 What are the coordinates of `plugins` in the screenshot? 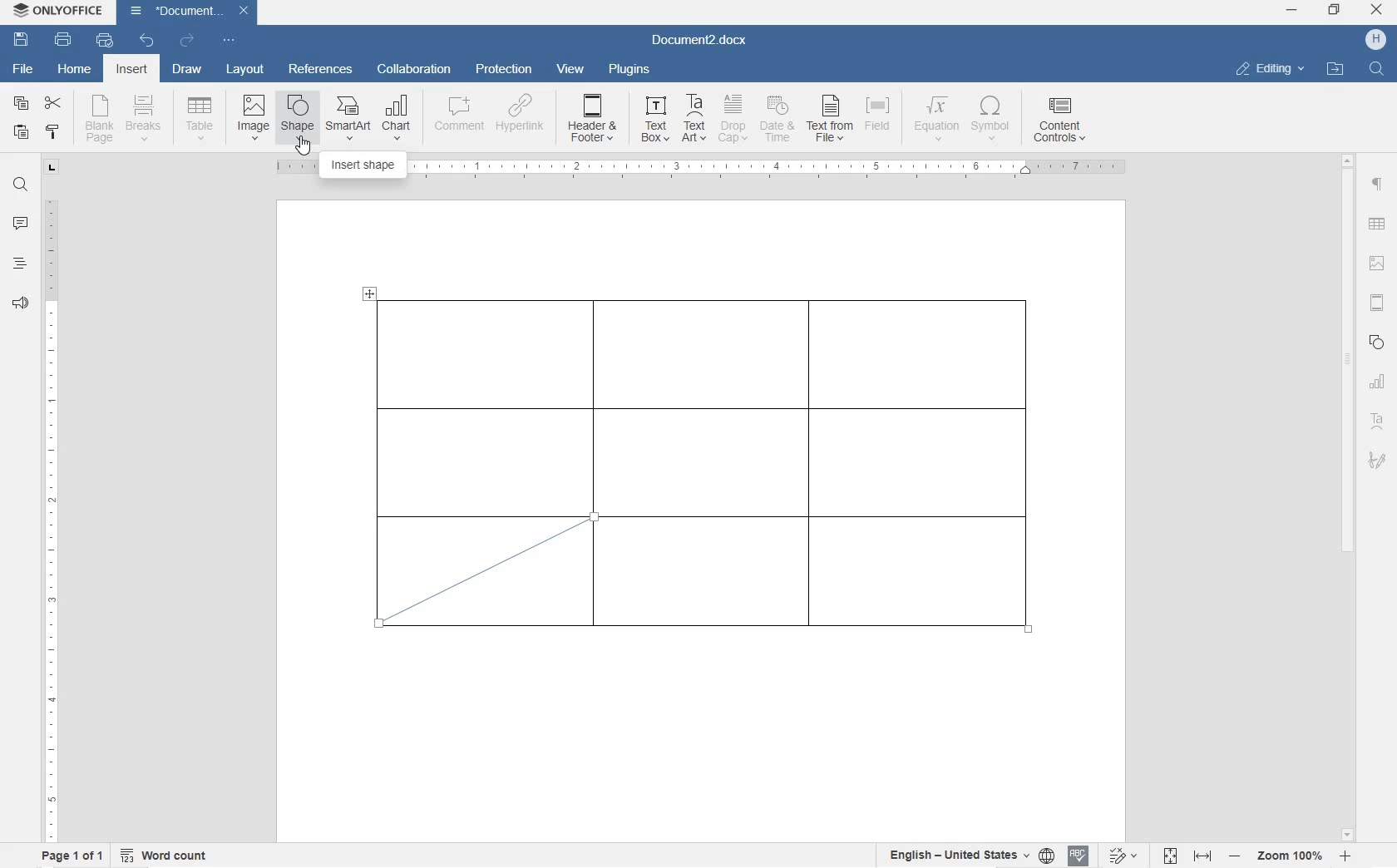 It's located at (630, 72).